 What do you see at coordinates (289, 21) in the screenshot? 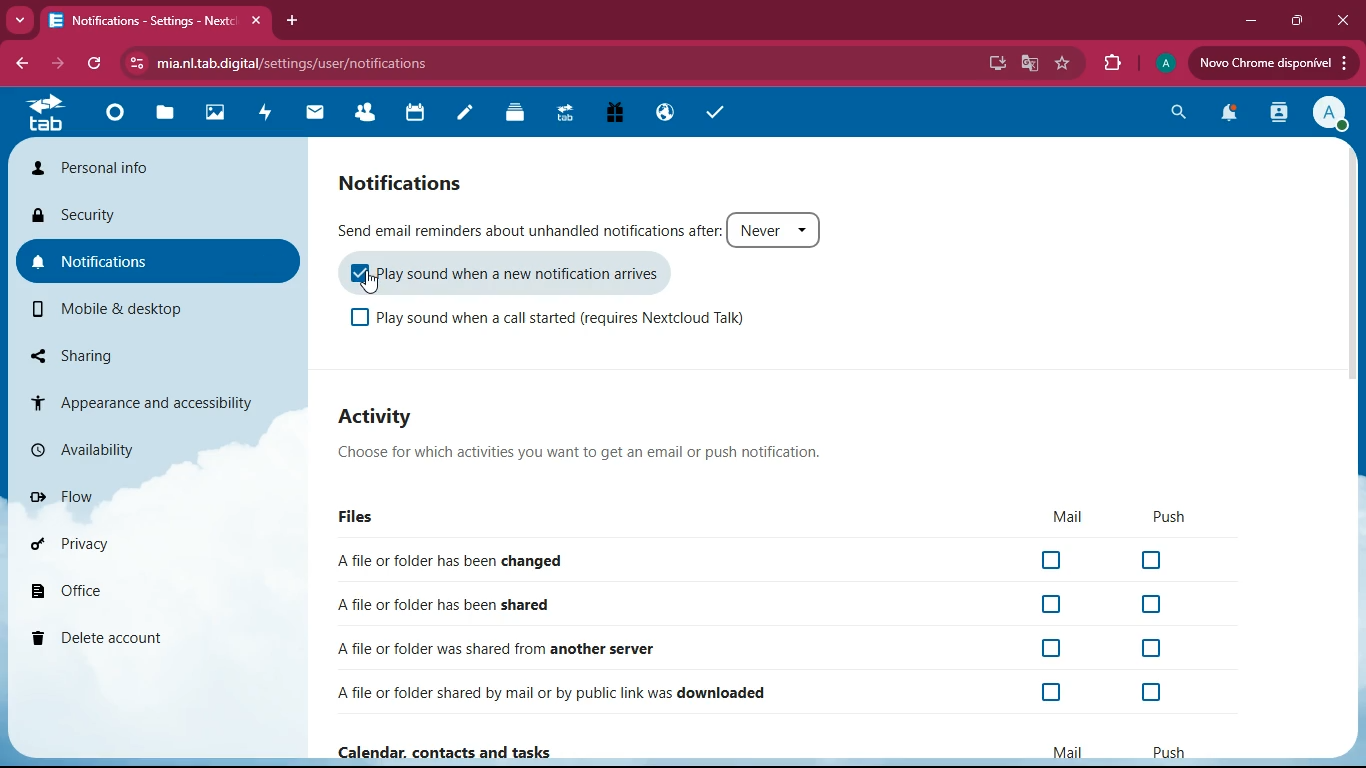
I see `add tab` at bounding box center [289, 21].